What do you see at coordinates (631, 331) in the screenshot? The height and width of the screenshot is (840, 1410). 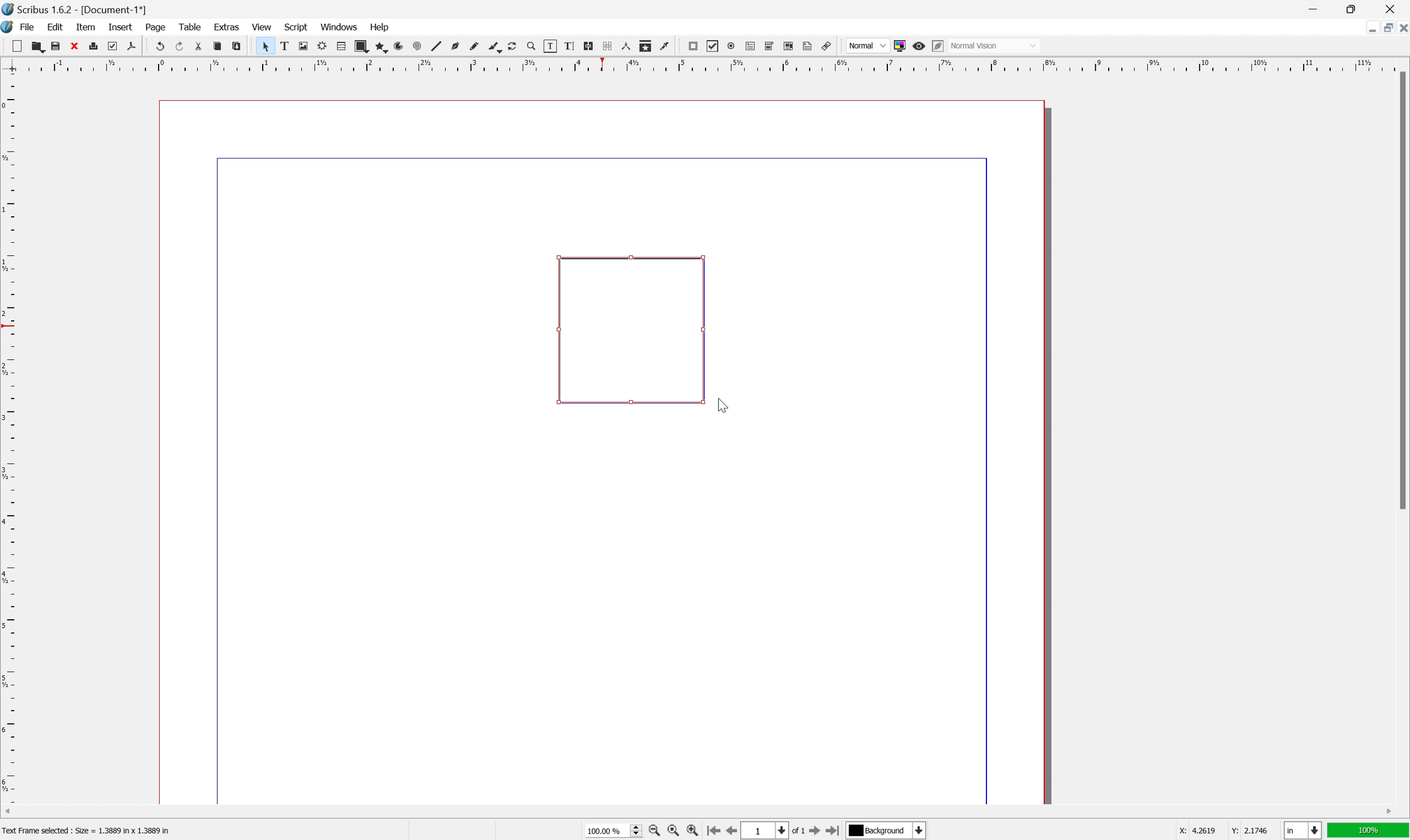 I see `link annotation` at bounding box center [631, 331].